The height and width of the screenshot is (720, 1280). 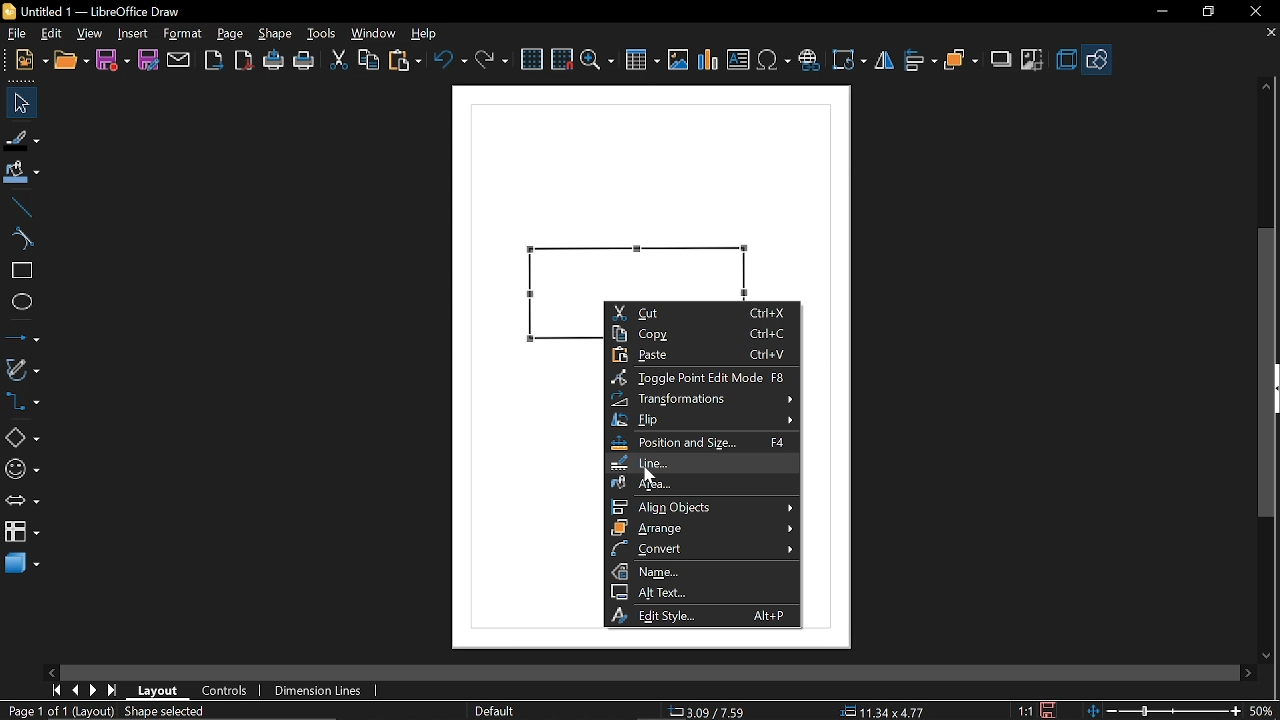 I want to click on line, so click(x=20, y=208).